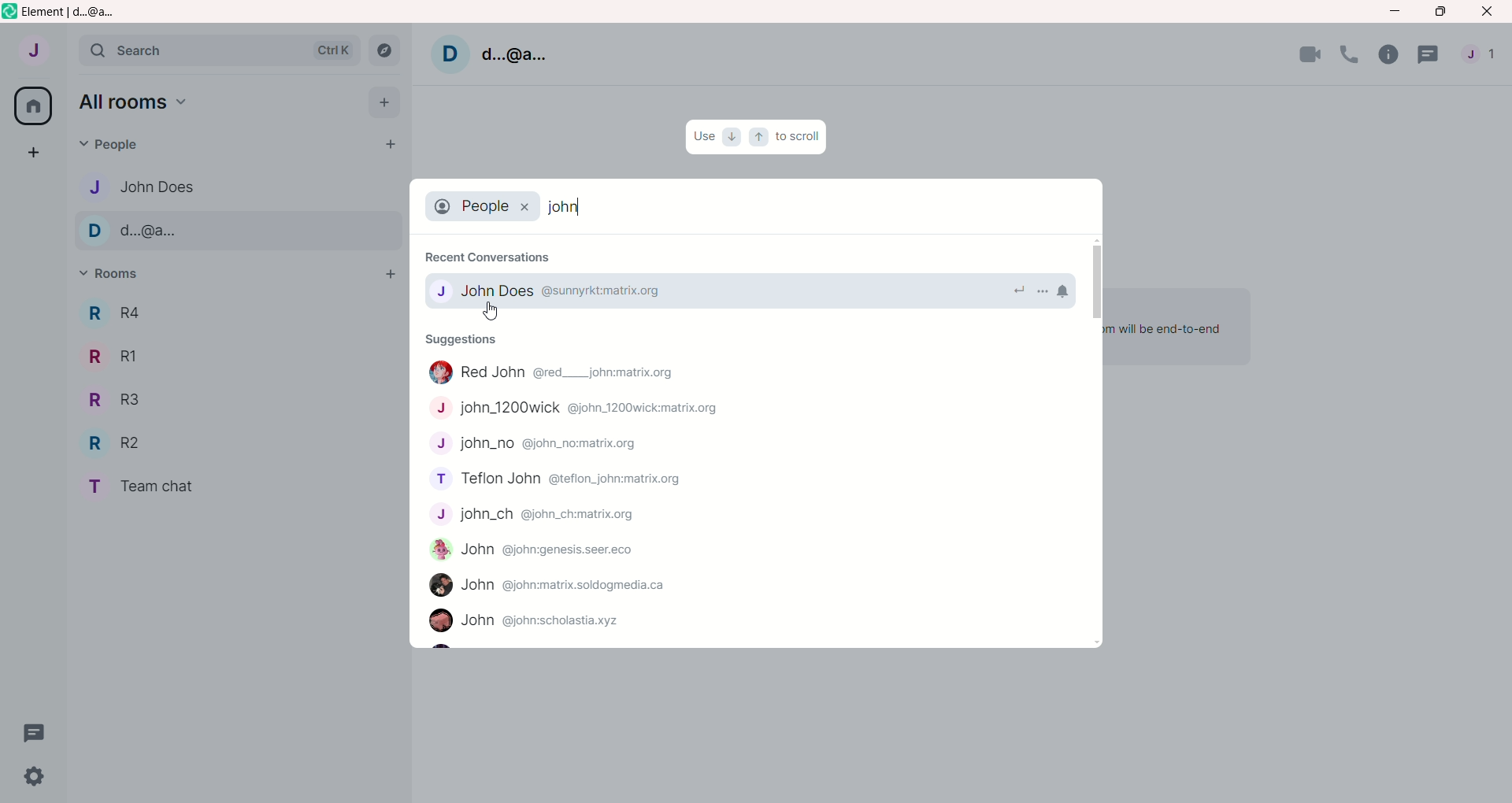  I want to click on use, so click(703, 136).